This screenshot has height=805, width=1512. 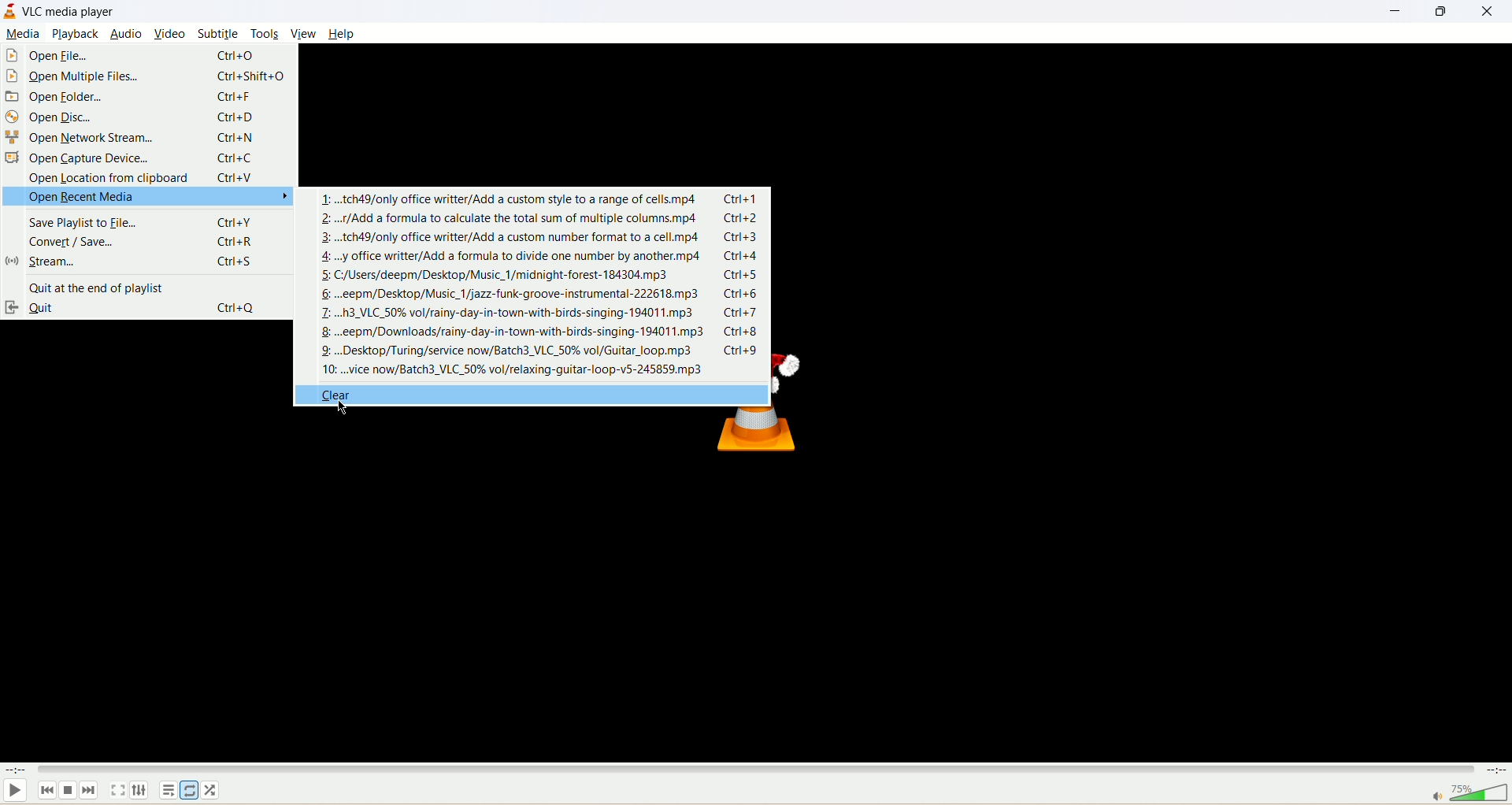 What do you see at coordinates (1461, 793) in the screenshot?
I see `volume bar` at bounding box center [1461, 793].